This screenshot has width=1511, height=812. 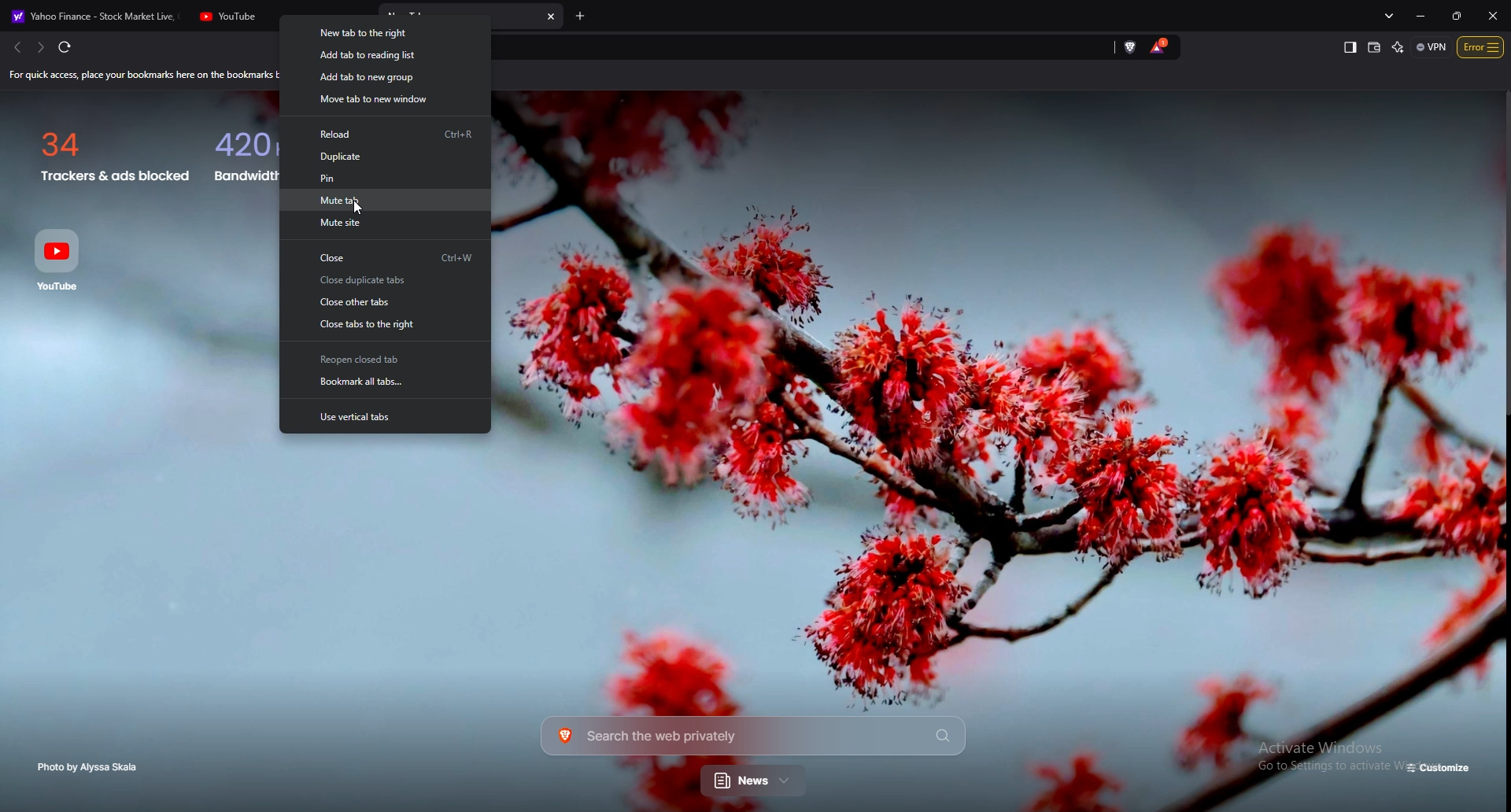 I want to click on Youtube, so click(x=62, y=259).